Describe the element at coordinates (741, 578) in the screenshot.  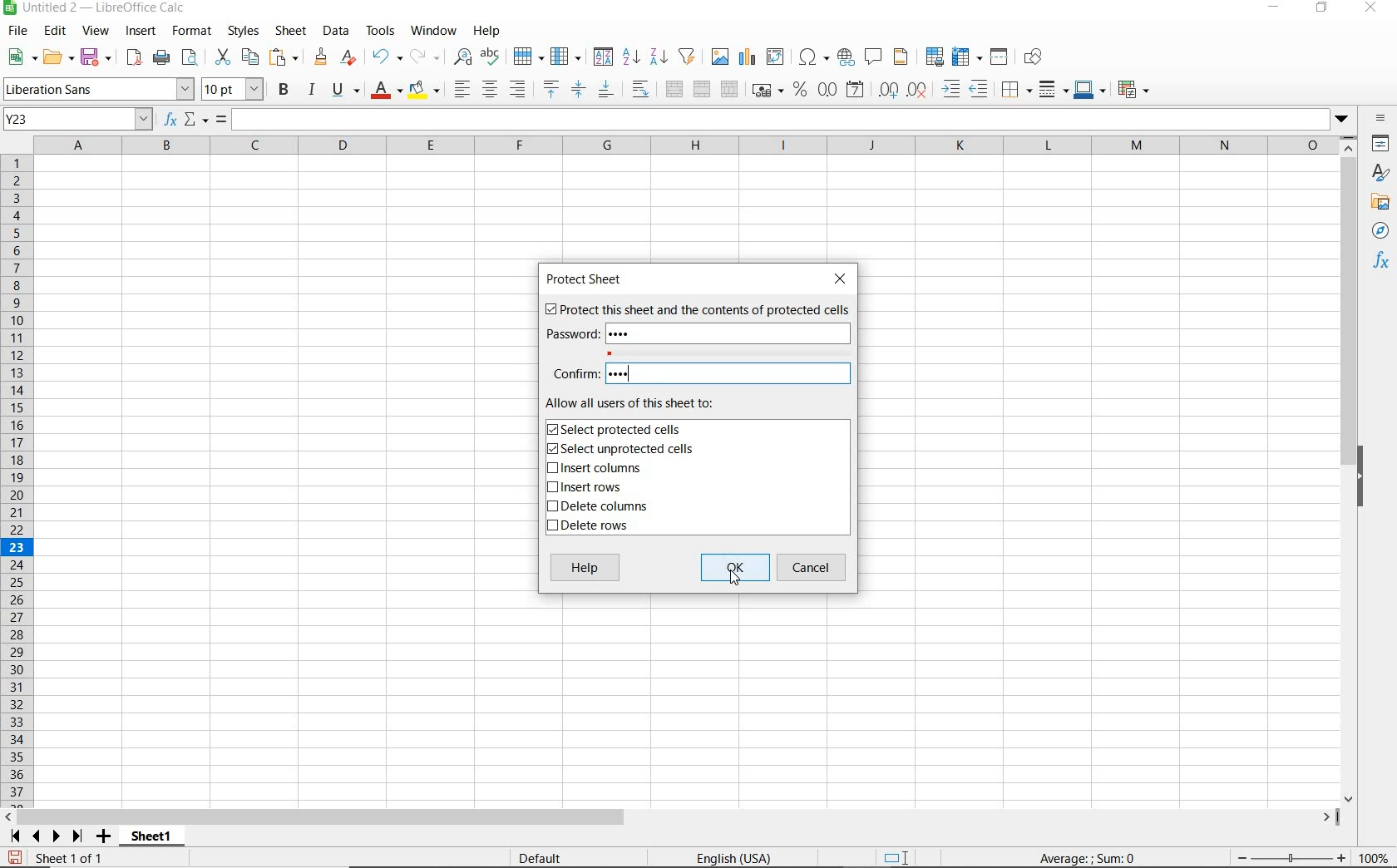
I see `CUSOR` at that location.